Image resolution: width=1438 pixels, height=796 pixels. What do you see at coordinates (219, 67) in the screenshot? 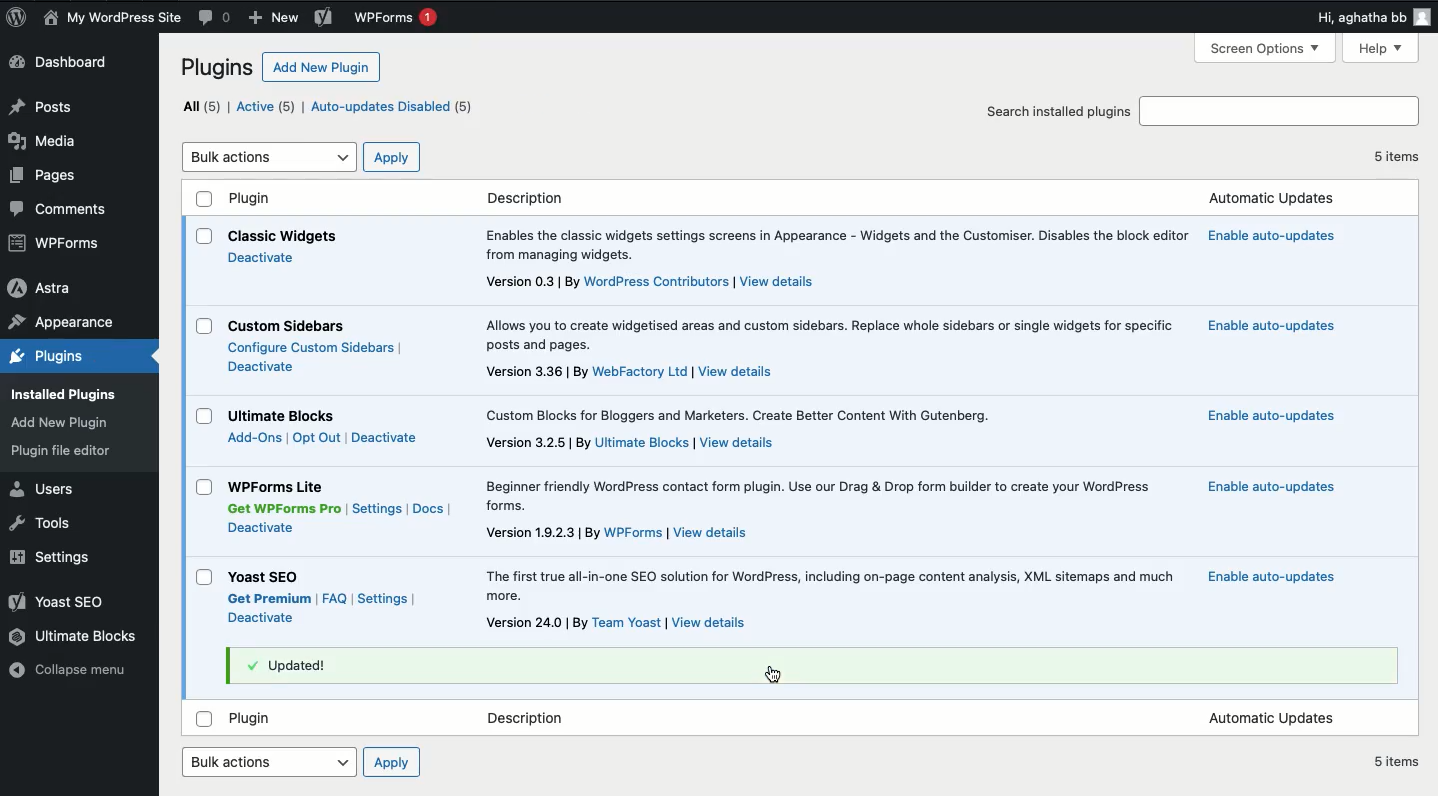
I see `Plugins` at bounding box center [219, 67].